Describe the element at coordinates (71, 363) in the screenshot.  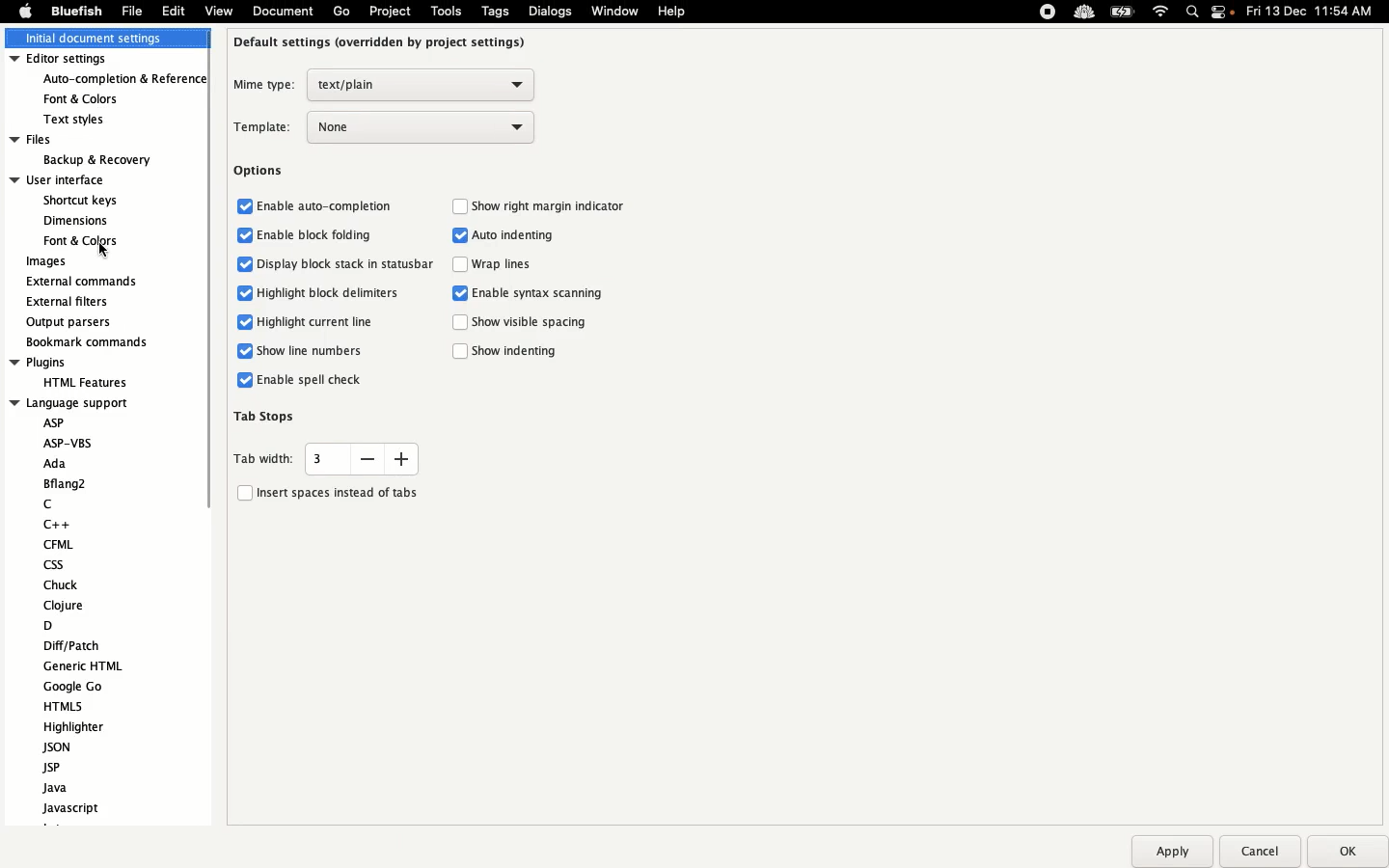
I see `Plugins` at that location.